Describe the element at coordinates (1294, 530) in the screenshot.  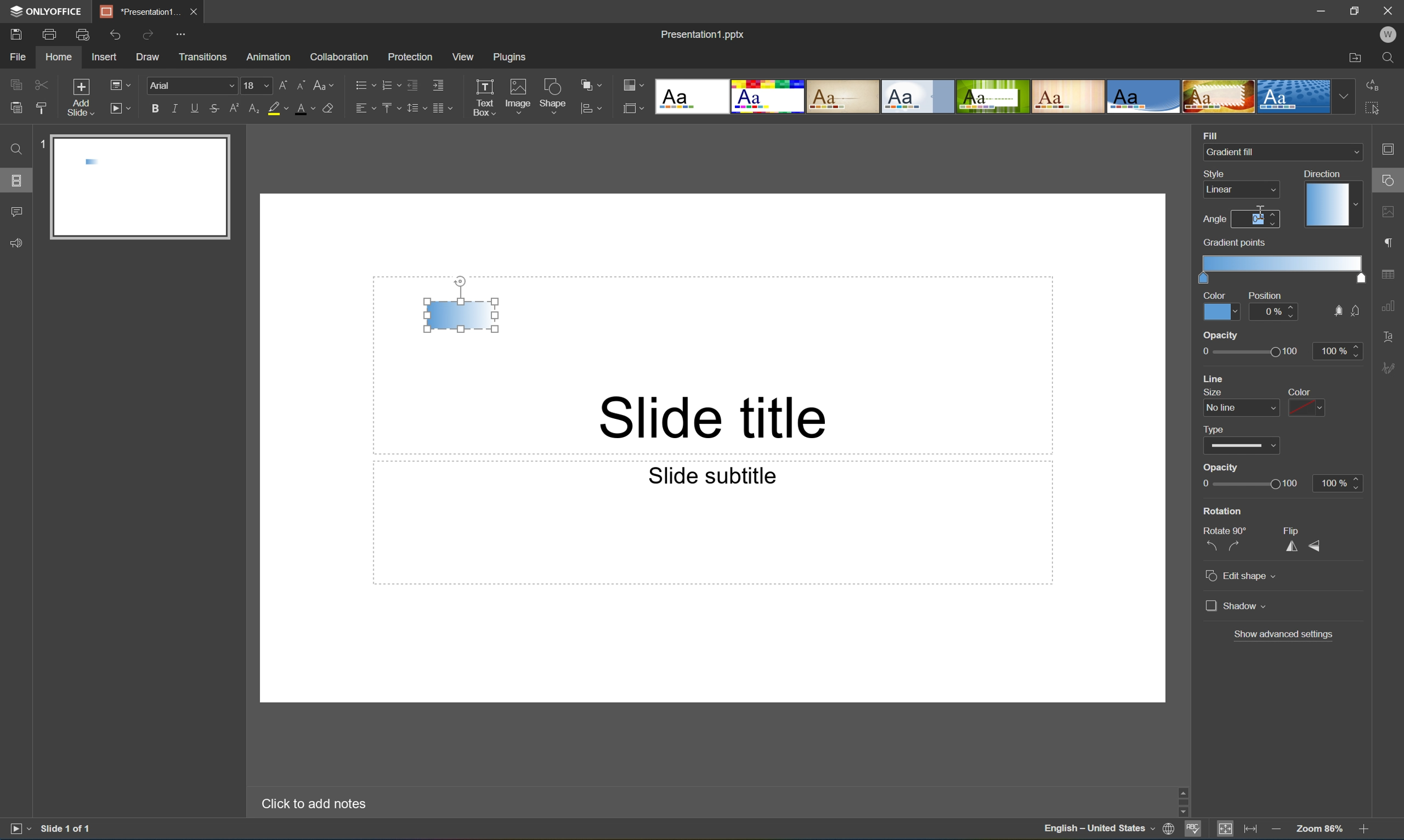
I see `Flip` at that location.